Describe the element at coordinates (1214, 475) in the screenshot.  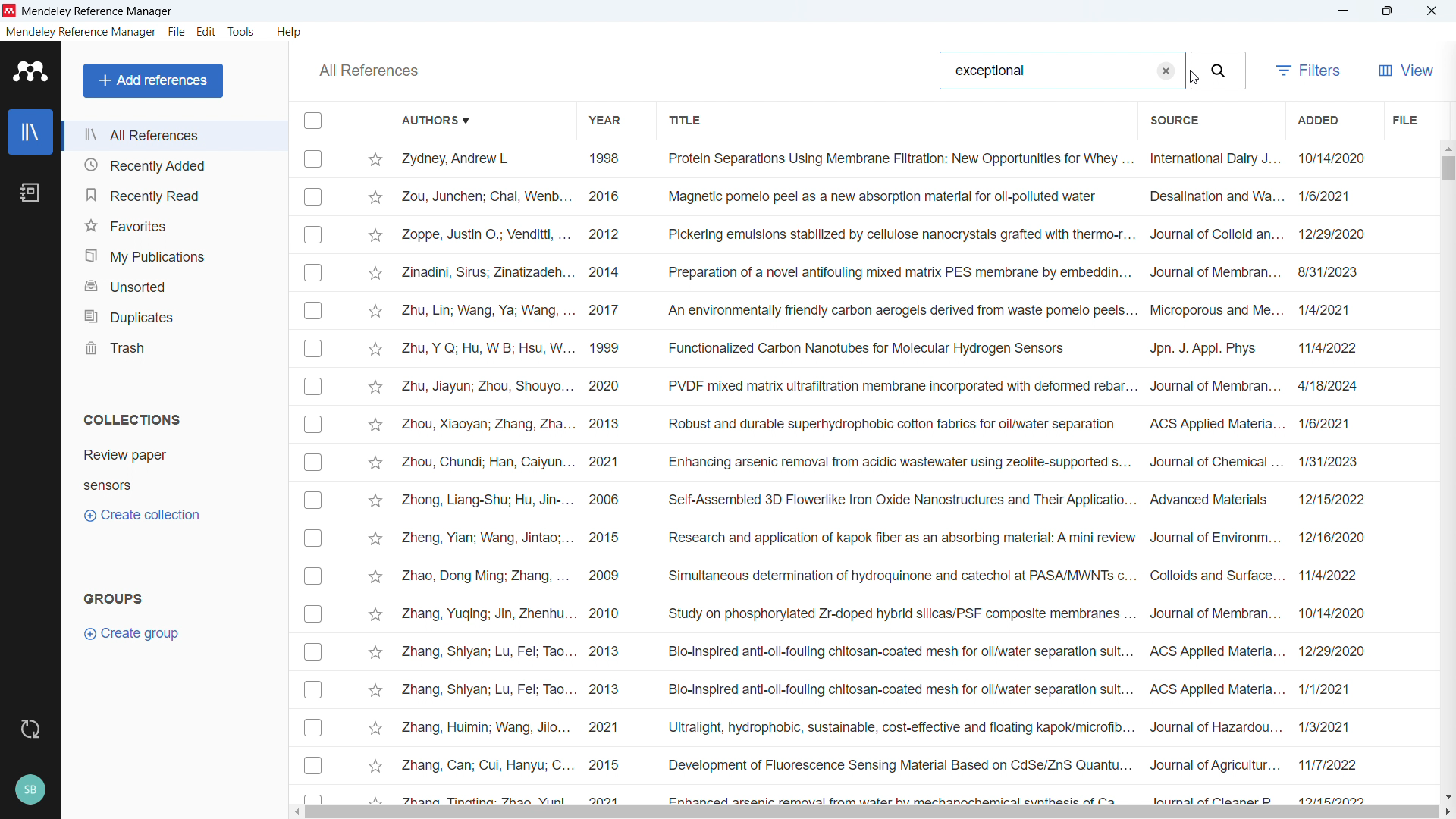
I see `Source of individual entries ` at that location.